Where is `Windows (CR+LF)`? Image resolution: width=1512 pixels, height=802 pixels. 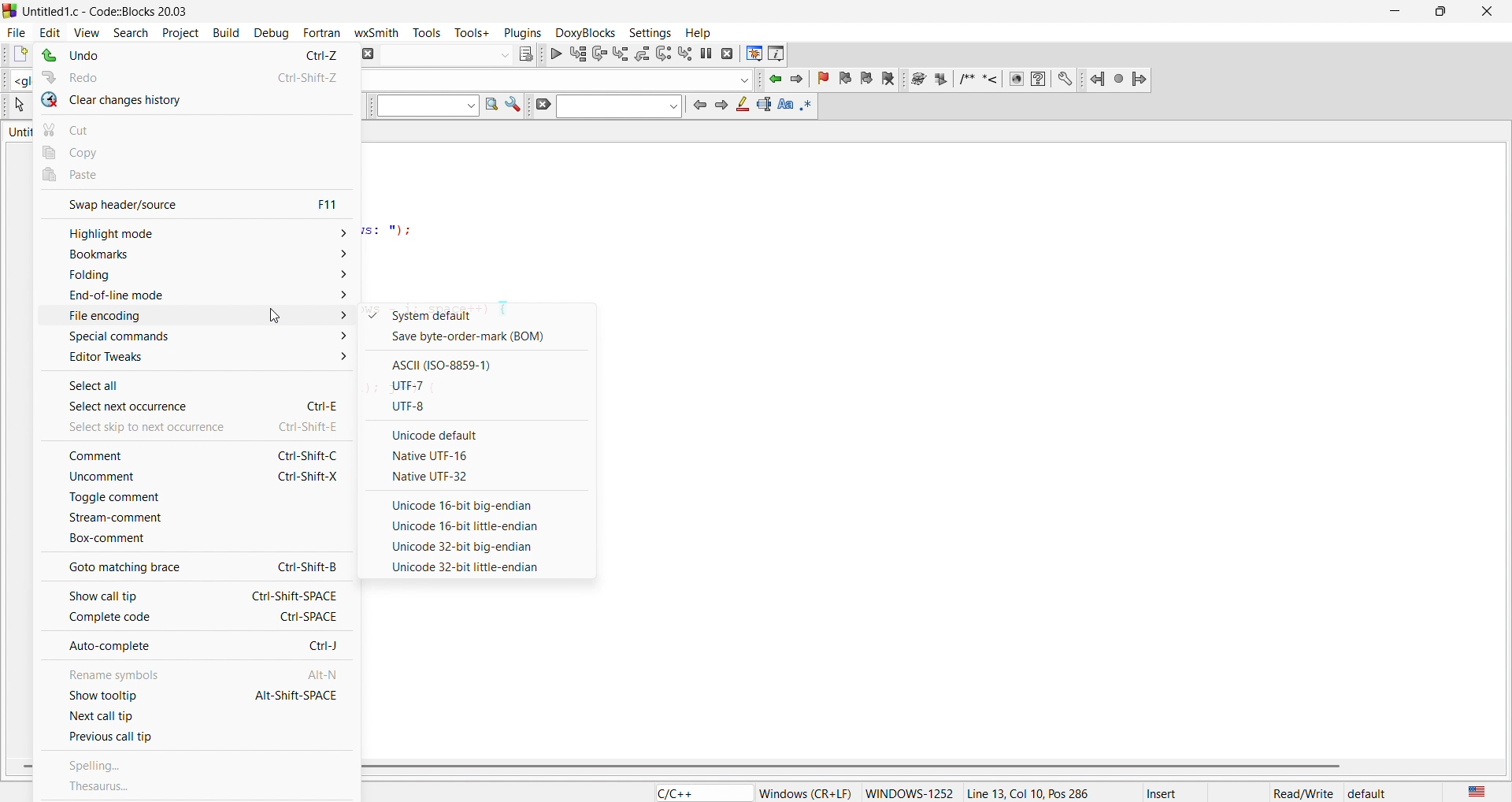
Windows (CR+LF) is located at coordinates (806, 793).